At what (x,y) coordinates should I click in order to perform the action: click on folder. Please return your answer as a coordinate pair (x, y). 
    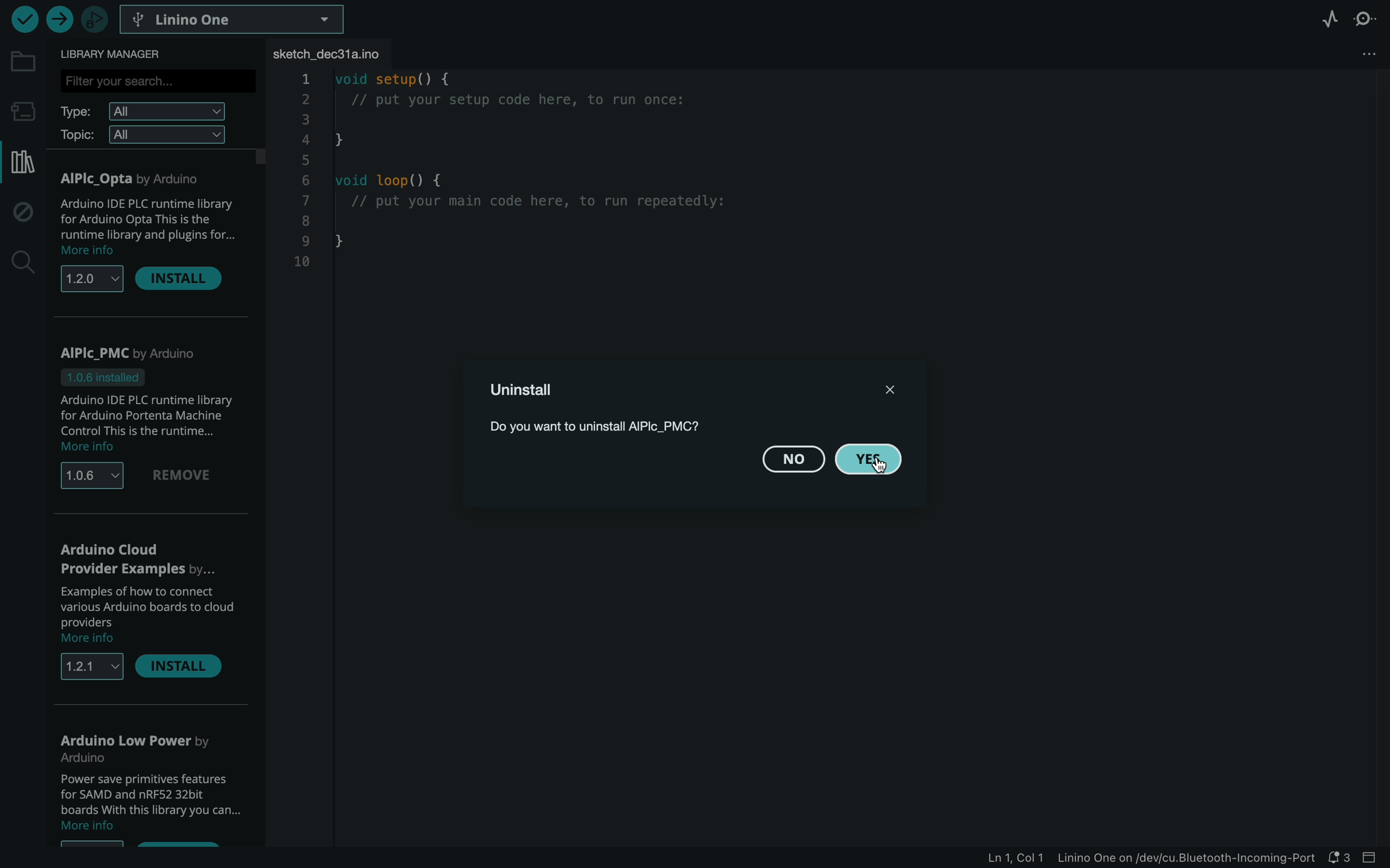
    Looking at the image, I should click on (22, 61).